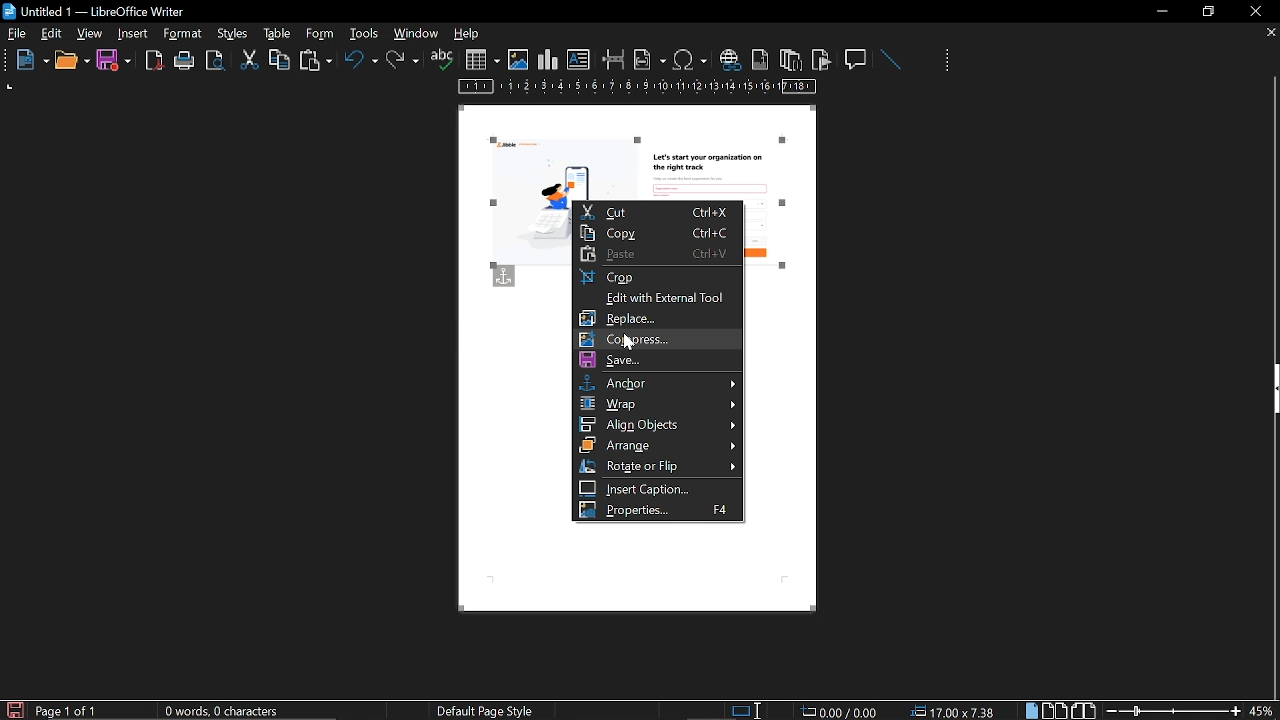 Image resolution: width=1280 pixels, height=720 pixels. Describe the element at coordinates (654, 213) in the screenshot. I see `cut` at that location.